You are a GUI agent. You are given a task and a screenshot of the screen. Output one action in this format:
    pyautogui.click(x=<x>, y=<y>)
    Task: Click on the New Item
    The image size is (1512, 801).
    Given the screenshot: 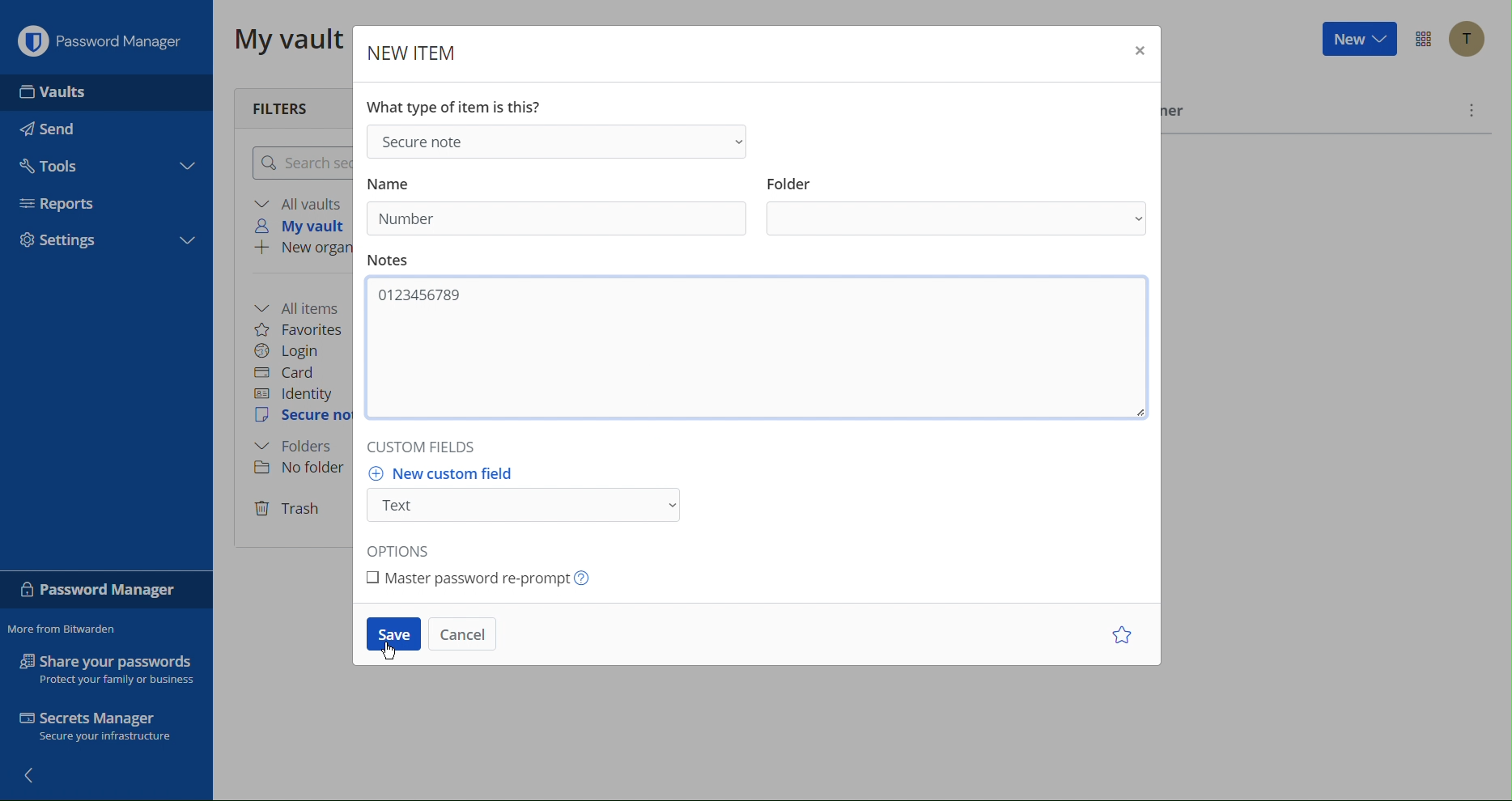 What is the action you would take?
    pyautogui.click(x=410, y=48)
    